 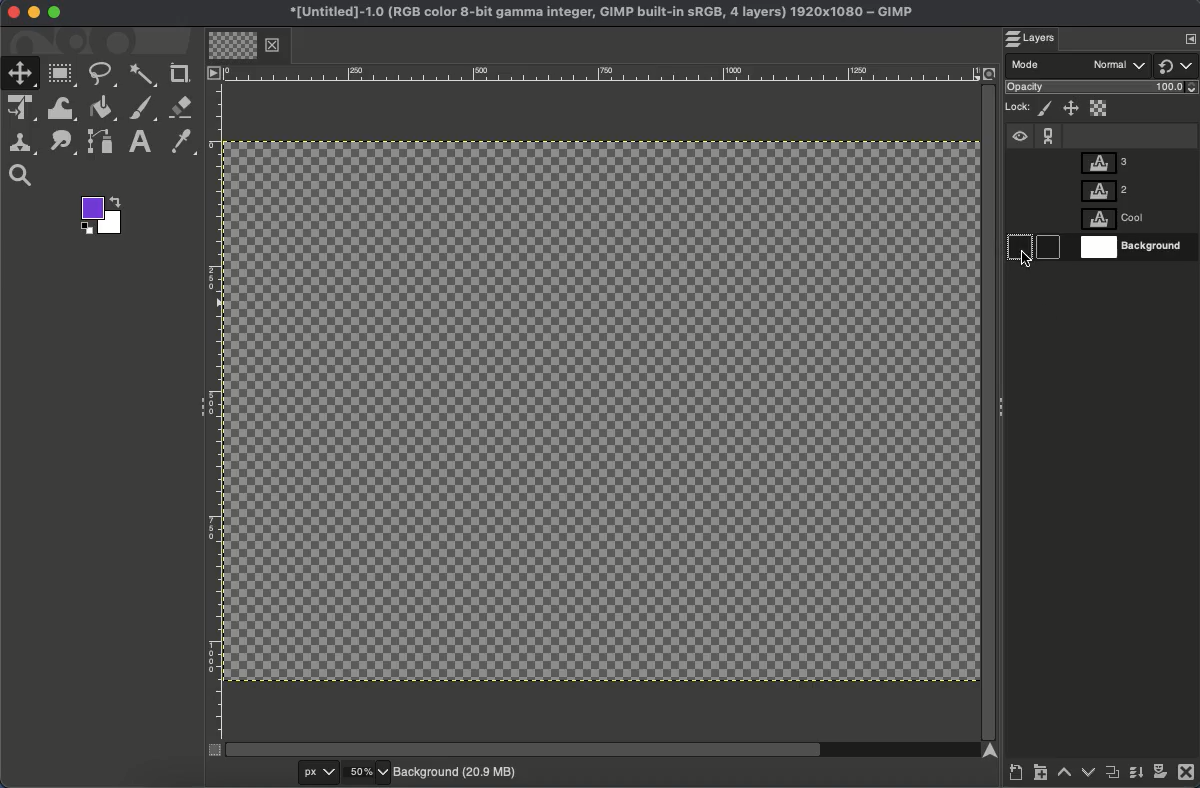 What do you see at coordinates (142, 75) in the screenshot?
I see `Fuzzy select` at bounding box center [142, 75].